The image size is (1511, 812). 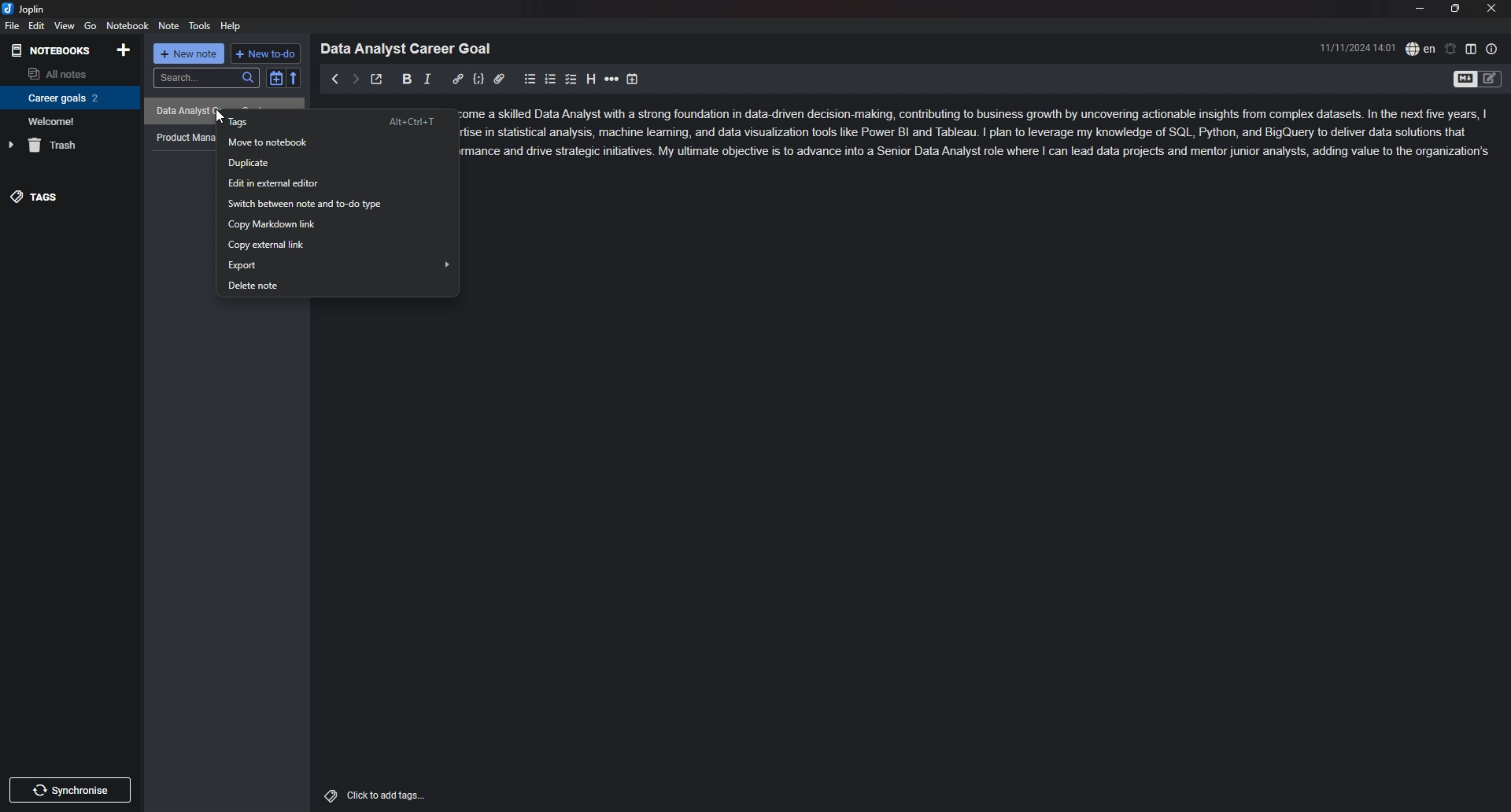 I want to click on help, so click(x=231, y=27).